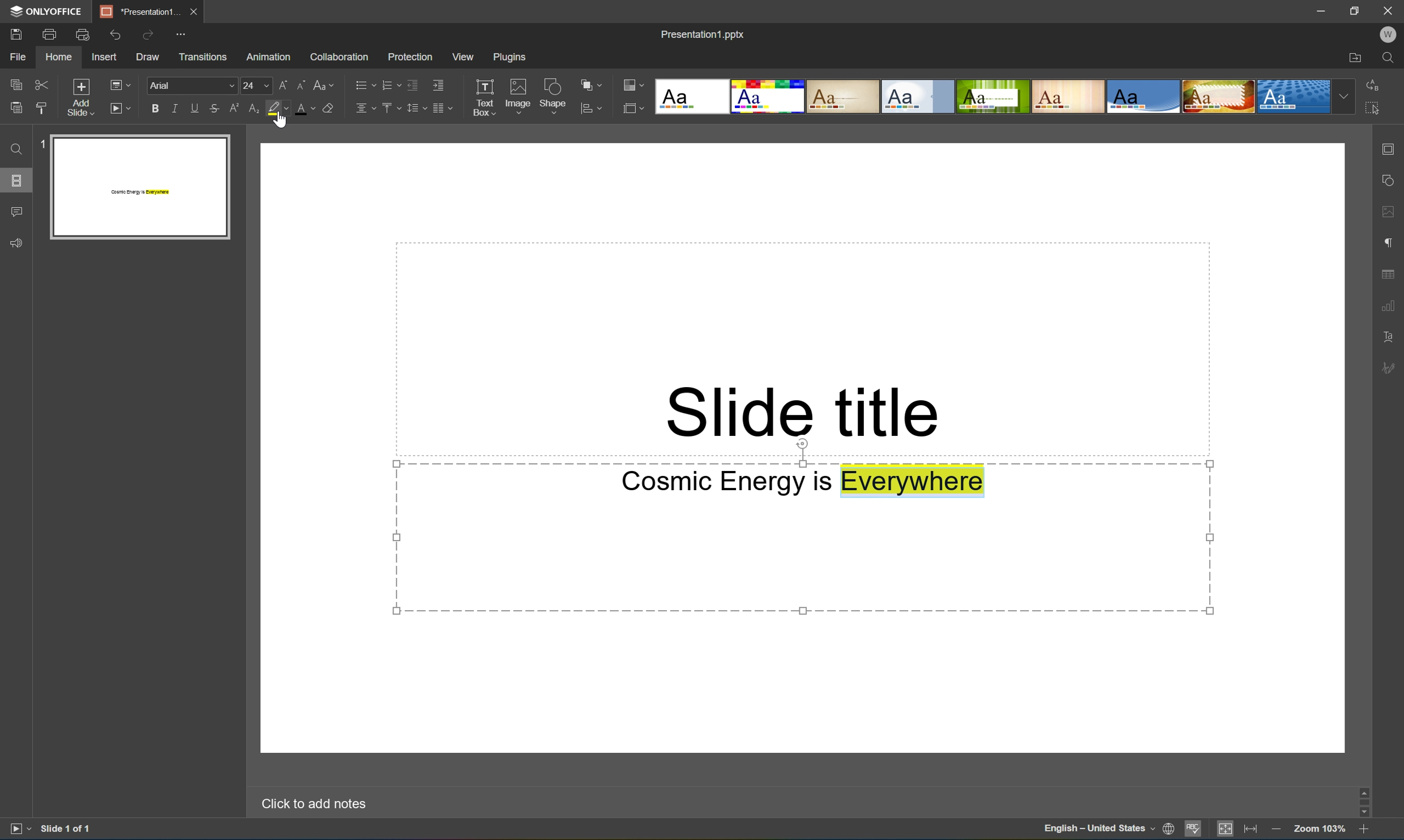 The width and height of the screenshot is (1404, 840). Describe the element at coordinates (48, 12) in the screenshot. I see `ONLYOFFICE` at that location.